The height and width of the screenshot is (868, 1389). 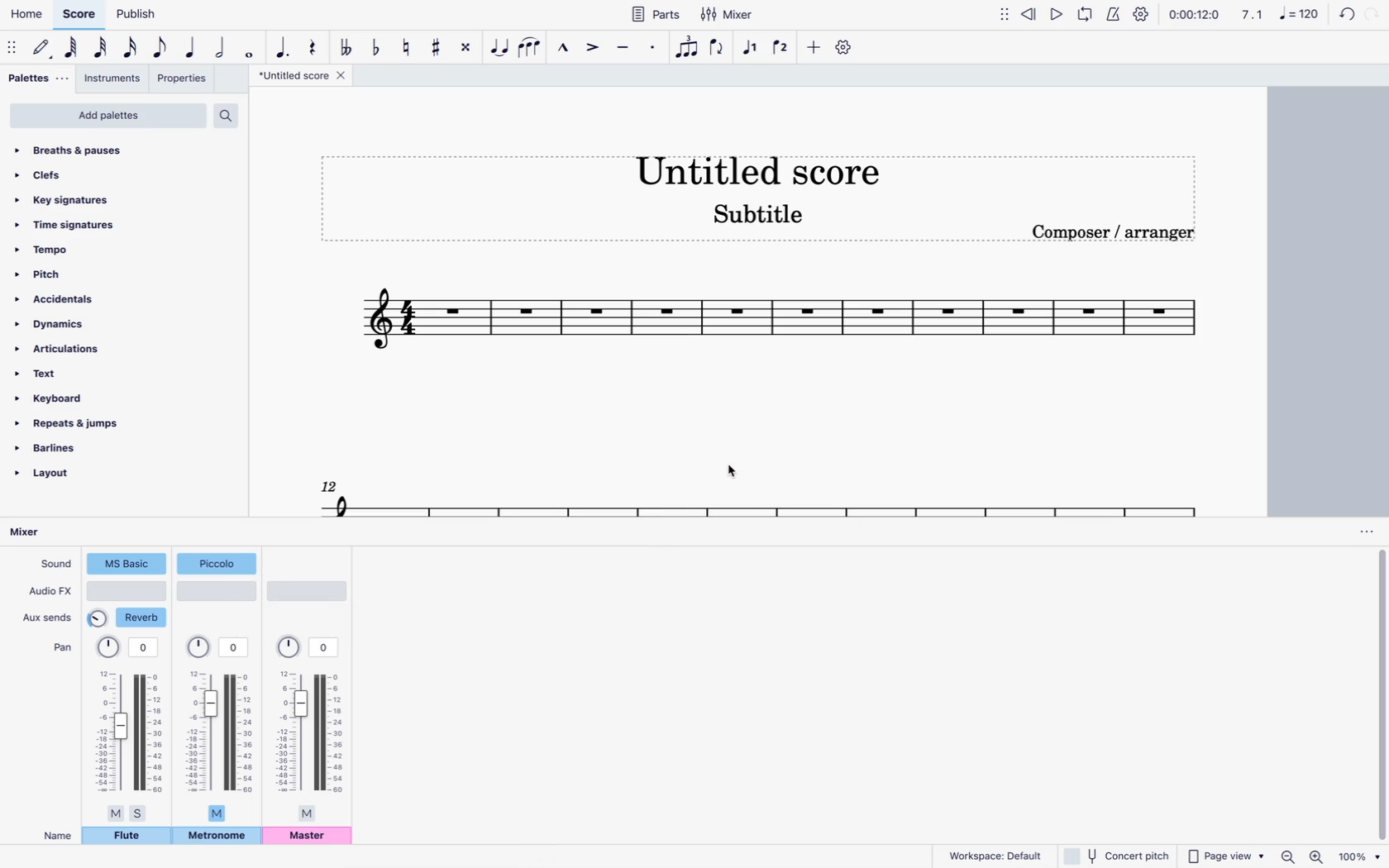 What do you see at coordinates (217, 837) in the screenshot?
I see `metronome` at bounding box center [217, 837].